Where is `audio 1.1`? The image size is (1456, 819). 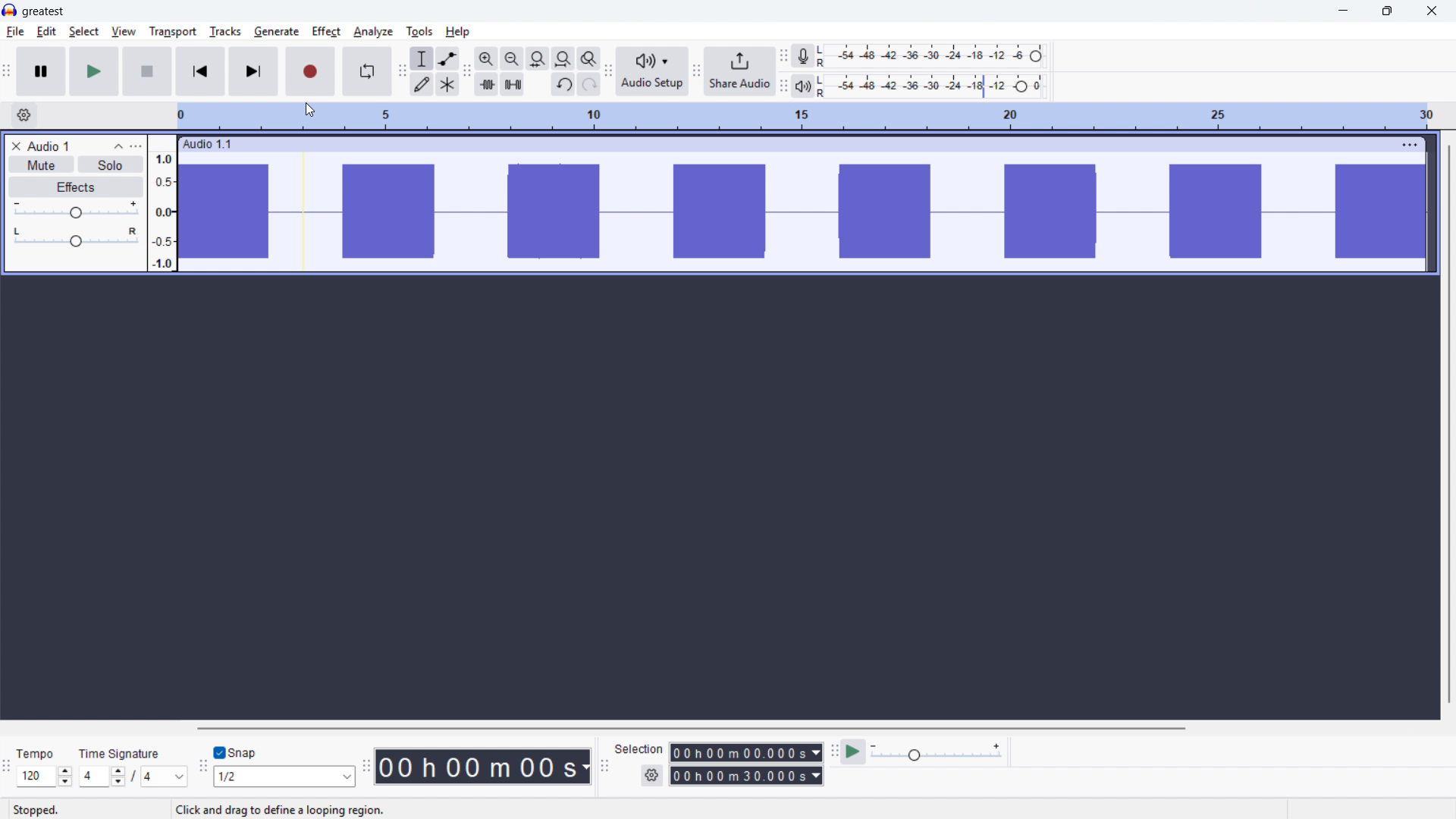 audio 1.1 is located at coordinates (221, 144).